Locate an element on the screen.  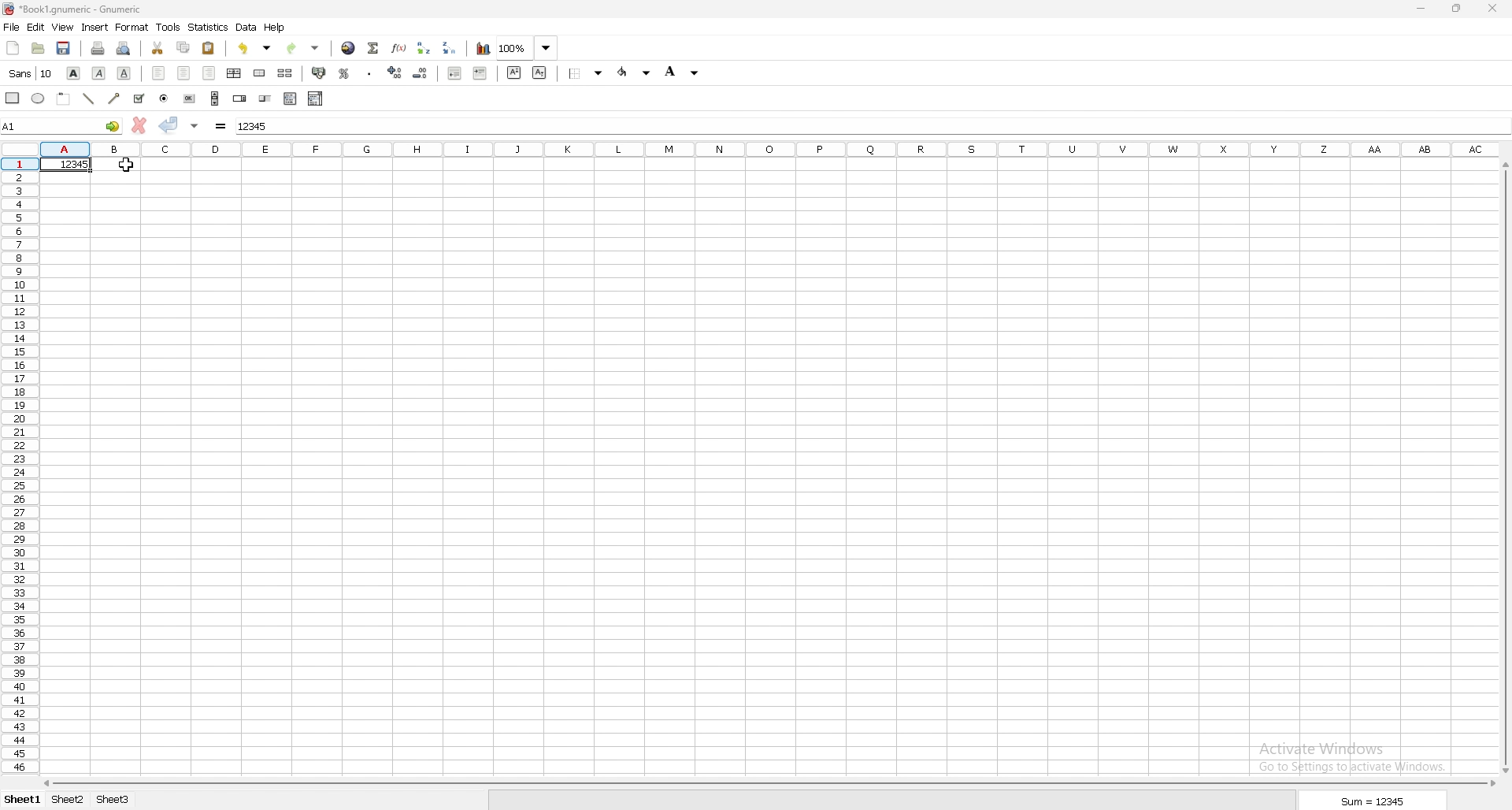
new is located at coordinates (13, 48).